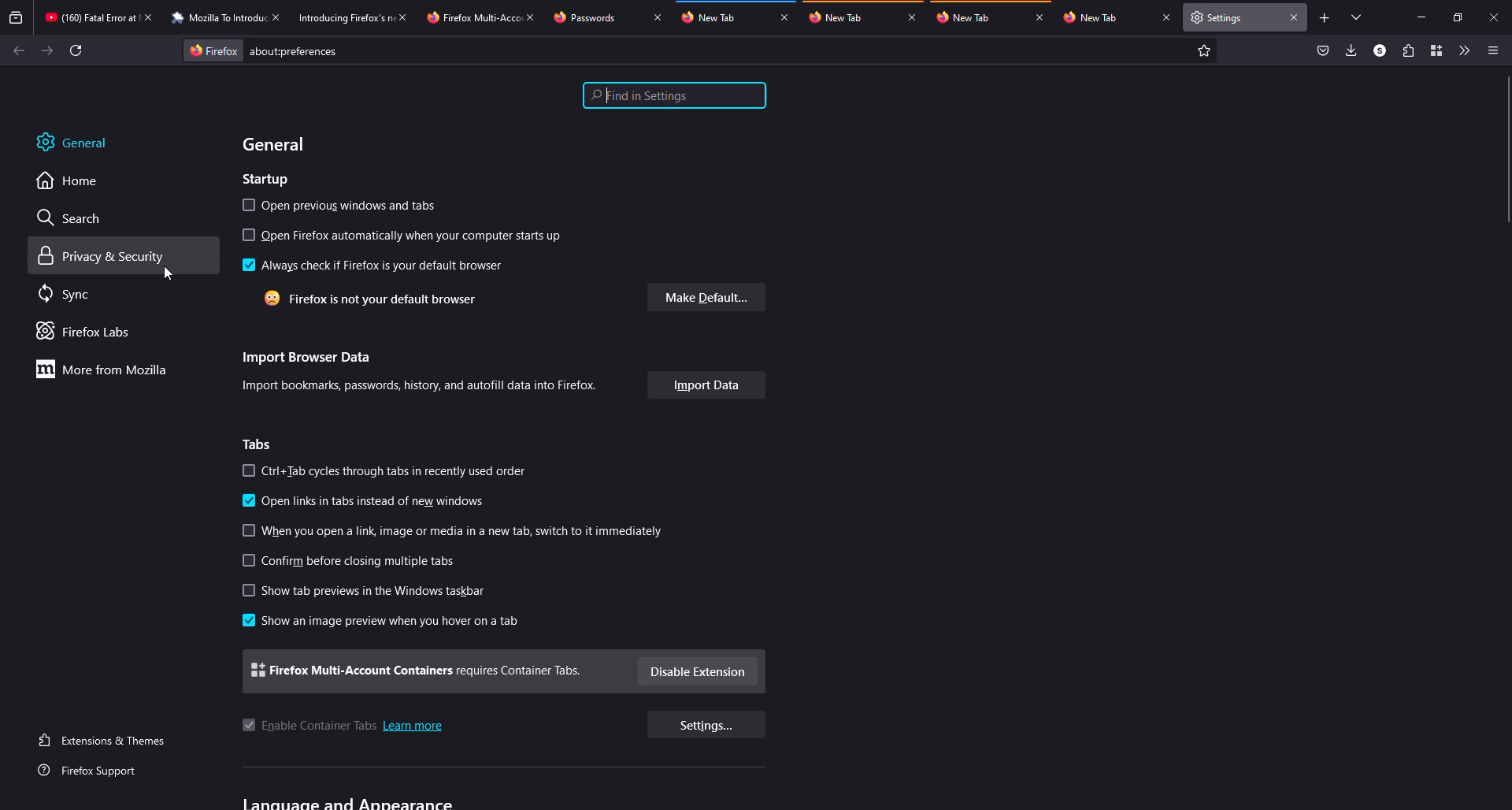 The height and width of the screenshot is (810, 1512). What do you see at coordinates (398, 471) in the screenshot?
I see `ctrl+tab cycles` at bounding box center [398, 471].